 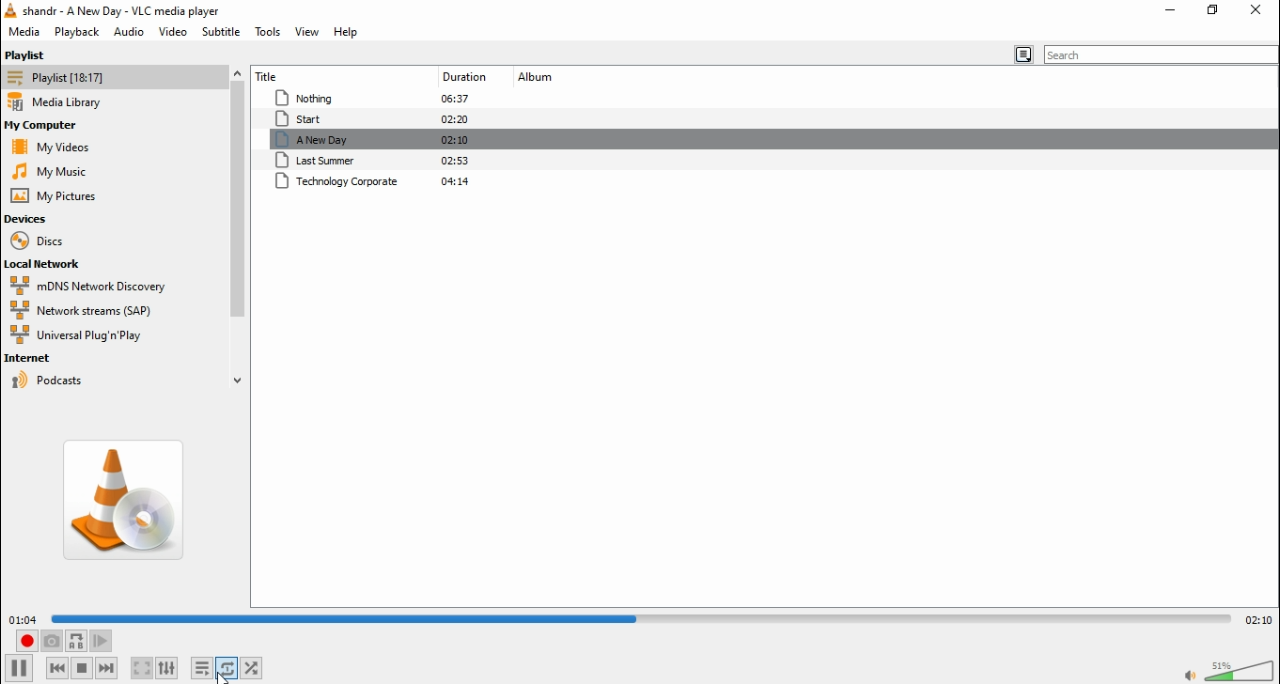 What do you see at coordinates (1162, 54) in the screenshot?
I see `search bar` at bounding box center [1162, 54].